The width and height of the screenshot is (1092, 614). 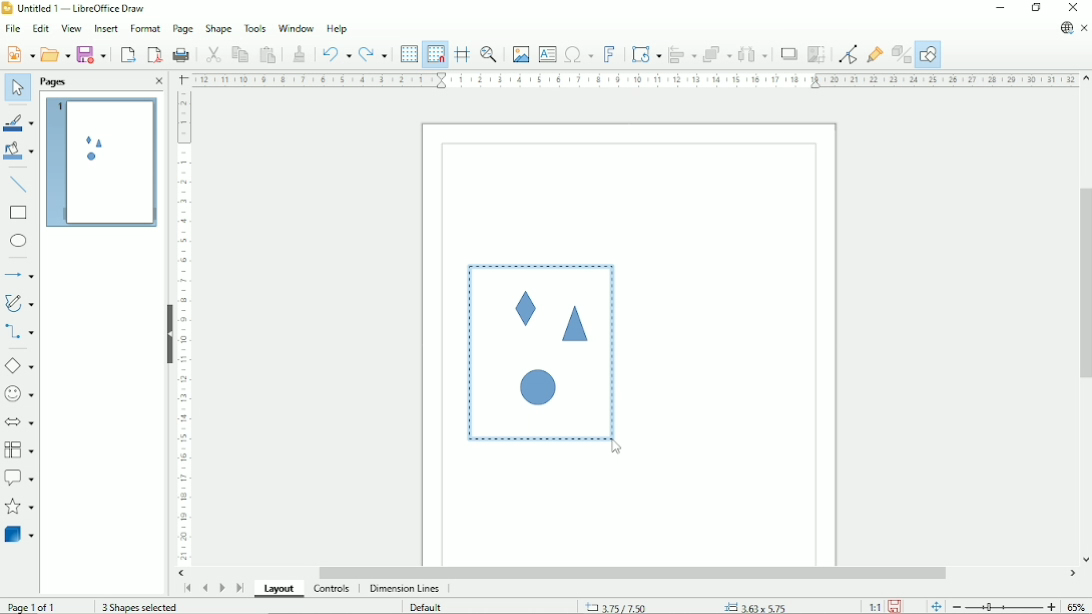 I want to click on Vertical scale, so click(x=184, y=328).